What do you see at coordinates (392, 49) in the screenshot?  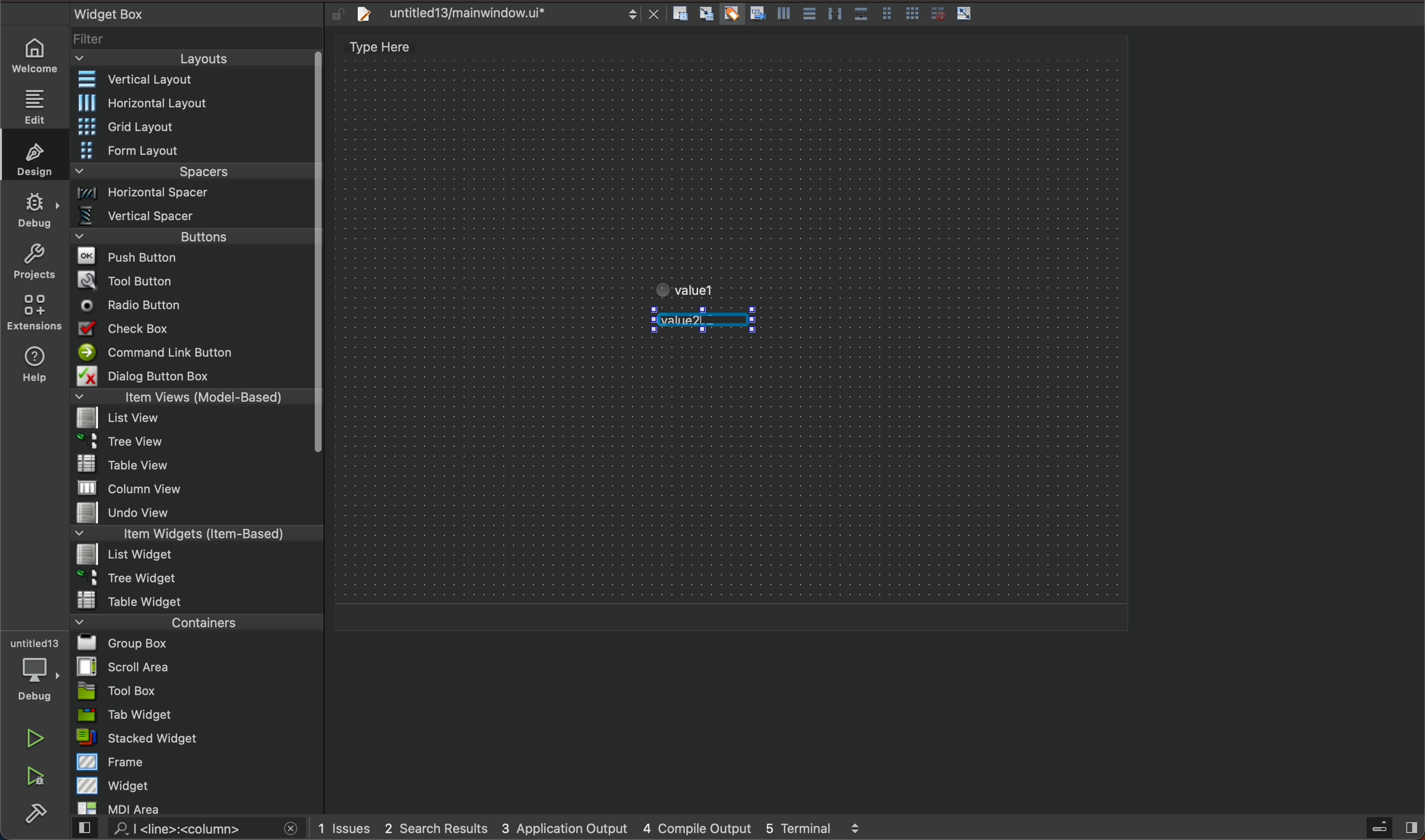 I see `type here` at bounding box center [392, 49].